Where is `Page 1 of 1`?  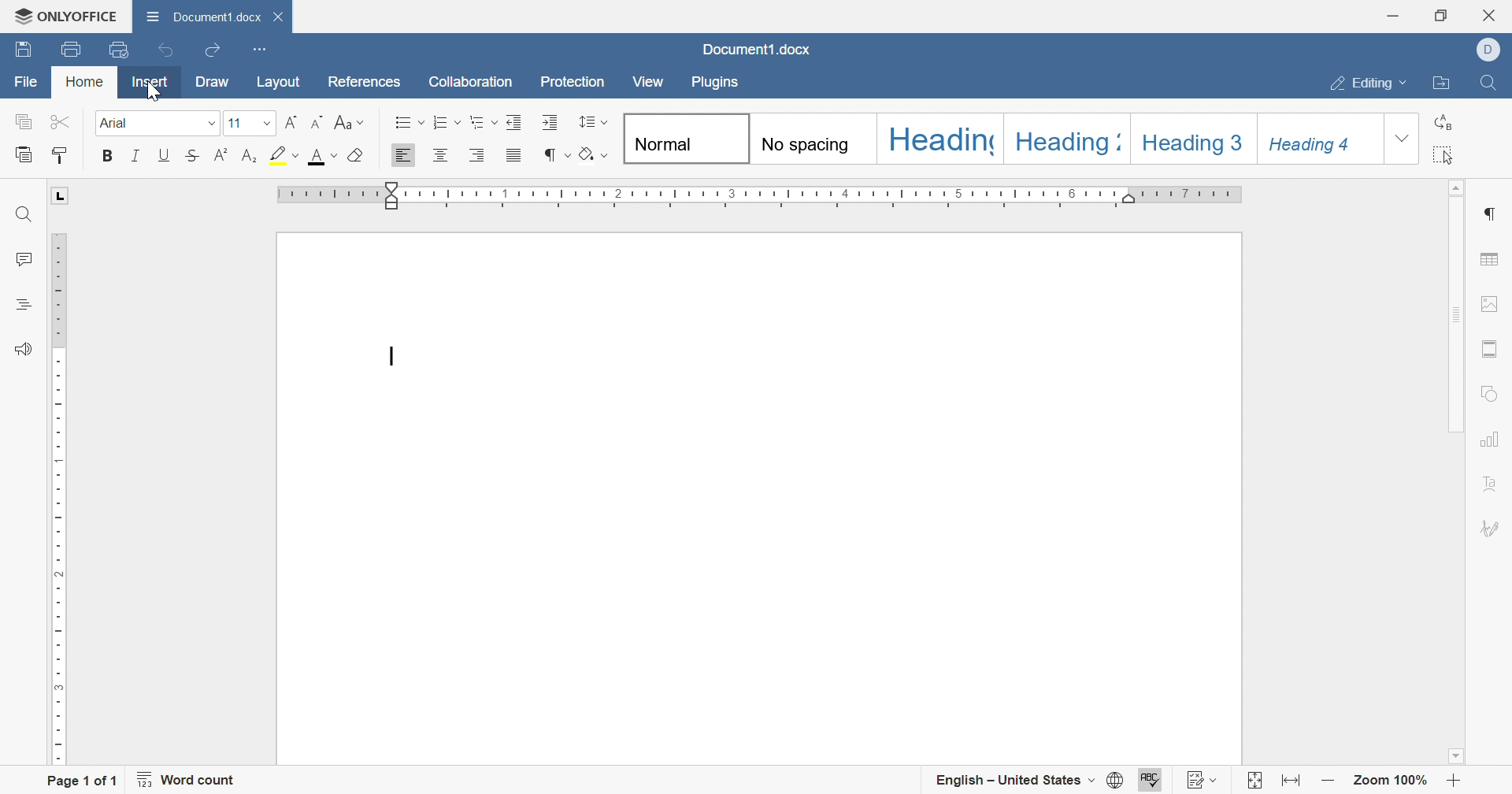
Page 1 of 1 is located at coordinates (80, 779).